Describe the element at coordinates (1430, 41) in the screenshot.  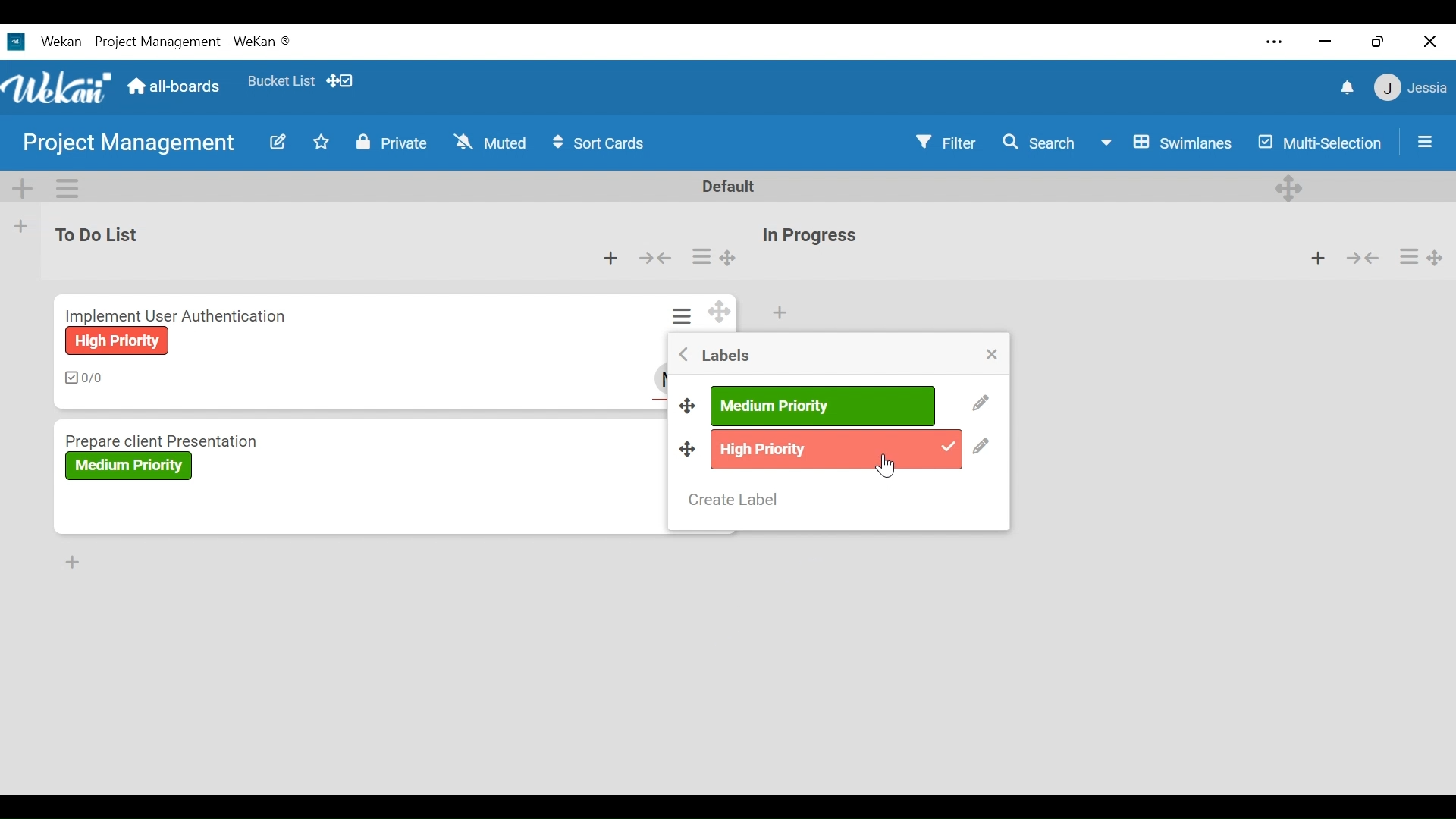
I see `Close` at that location.